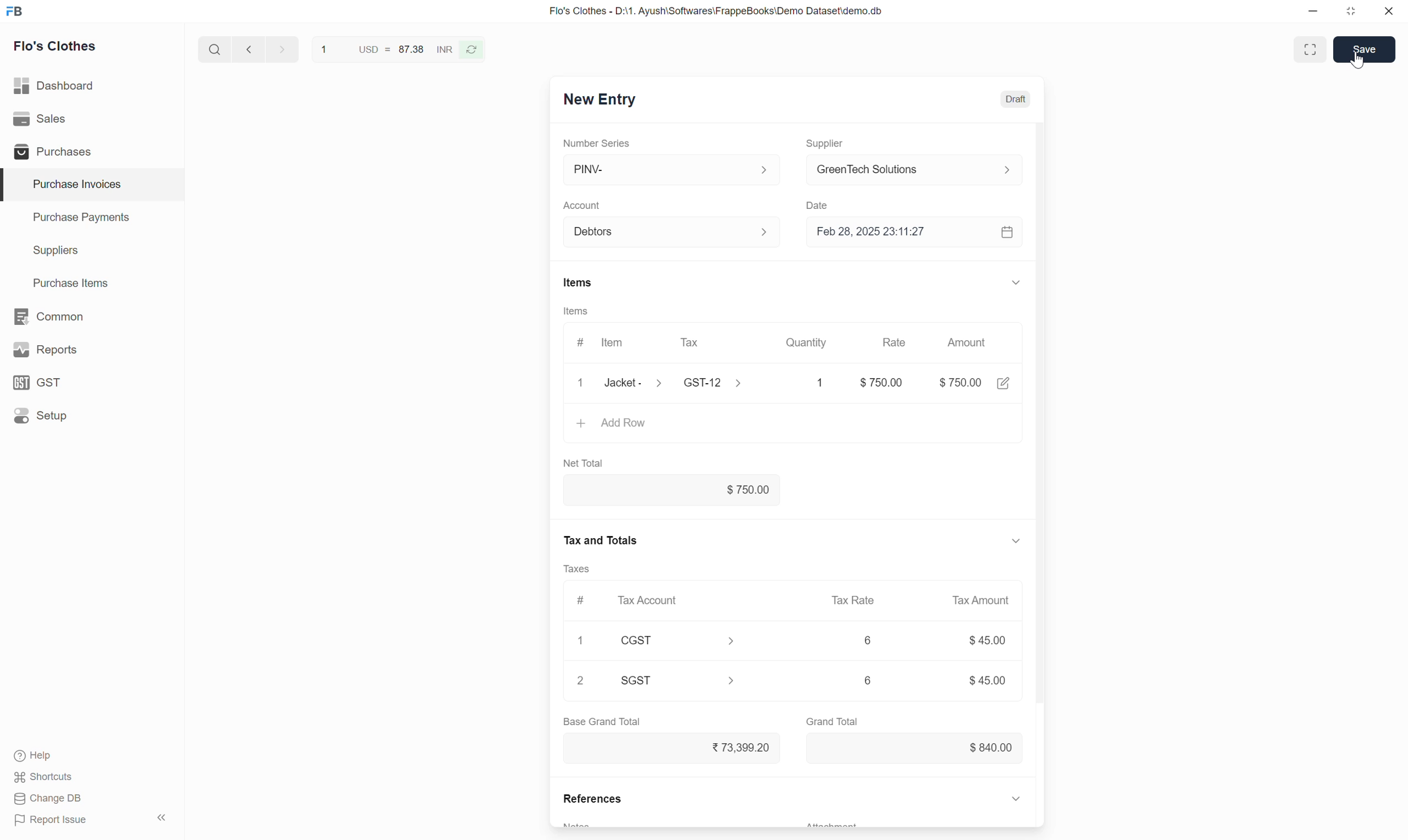  Describe the element at coordinates (1016, 541) in the screenshot. I see `Collapse` at that location.